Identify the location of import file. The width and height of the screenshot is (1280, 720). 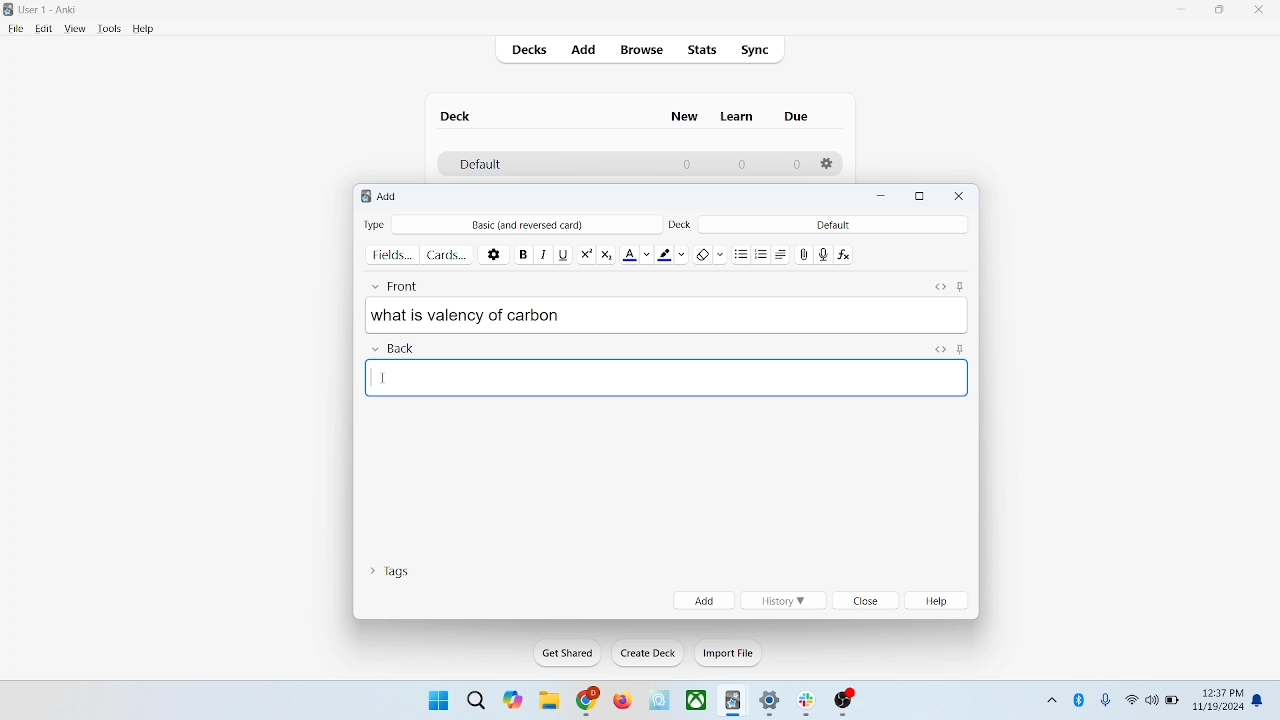
(729, 653).